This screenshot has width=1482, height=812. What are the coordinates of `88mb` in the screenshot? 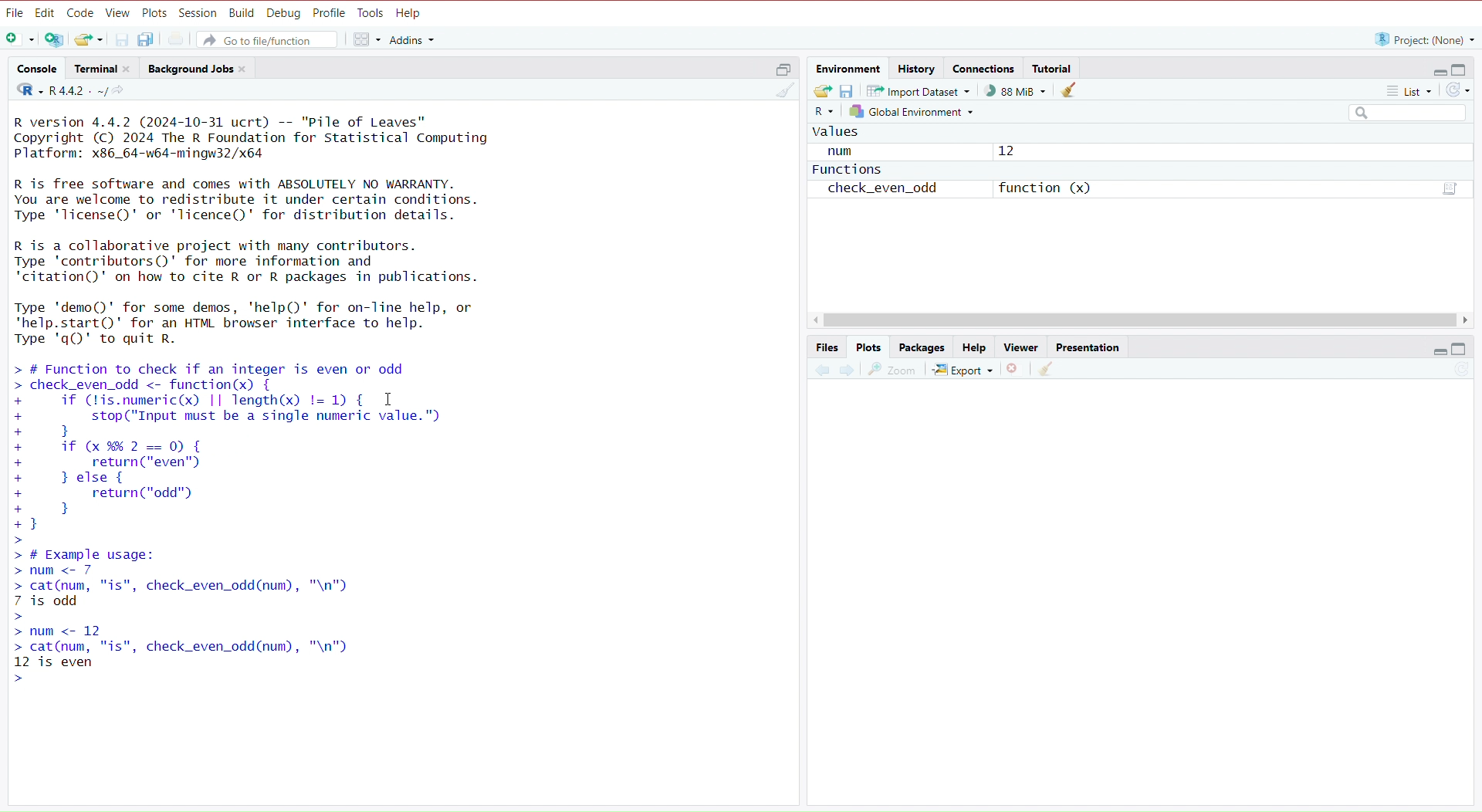 It's located at (1017, 91).